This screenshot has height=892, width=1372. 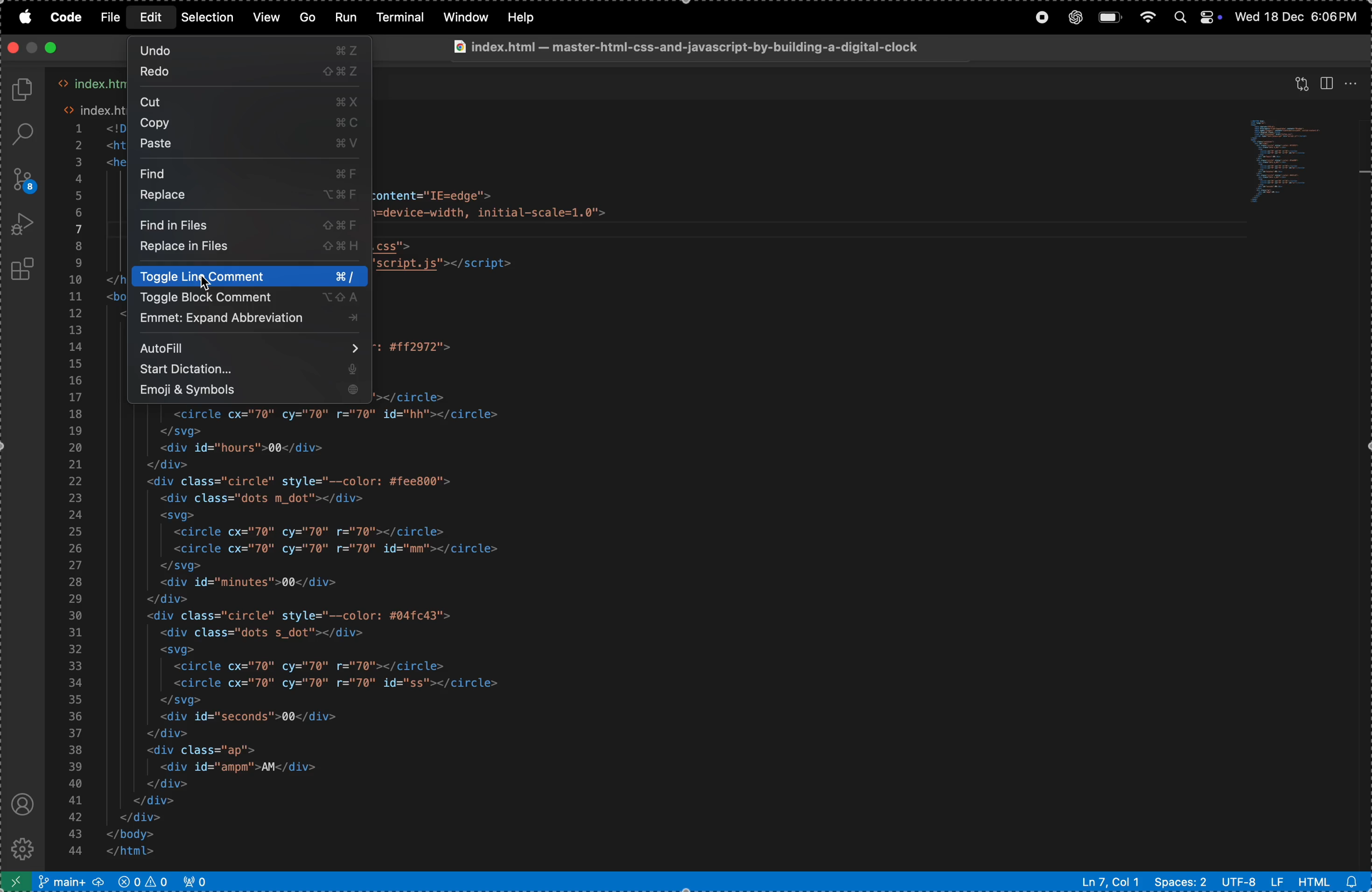 What do you see at coordinates (249, 347) in the screenshot?
I see `auto fill` at bounding box center [249, 347].